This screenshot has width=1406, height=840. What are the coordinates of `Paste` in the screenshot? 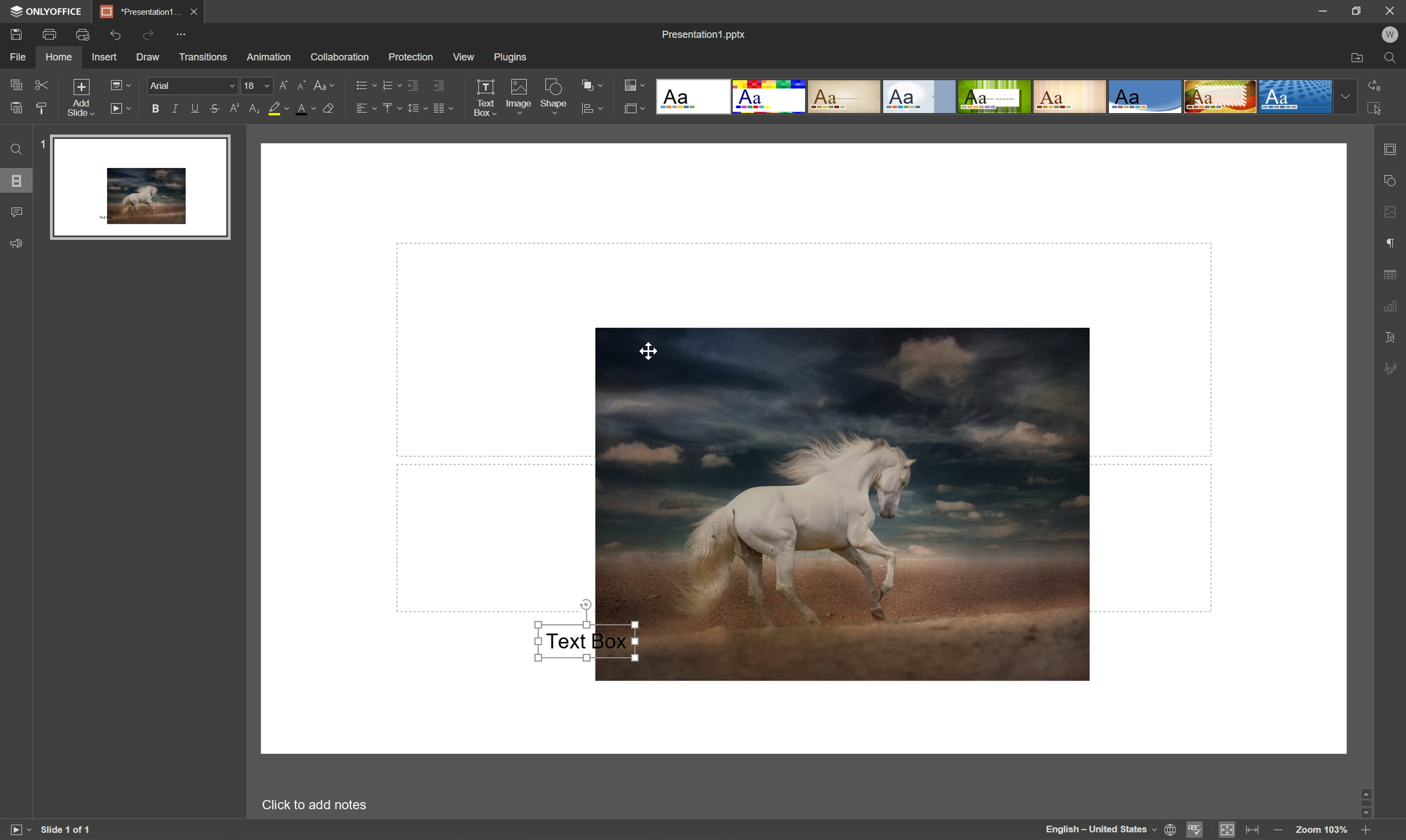 It's located at (16, 109).